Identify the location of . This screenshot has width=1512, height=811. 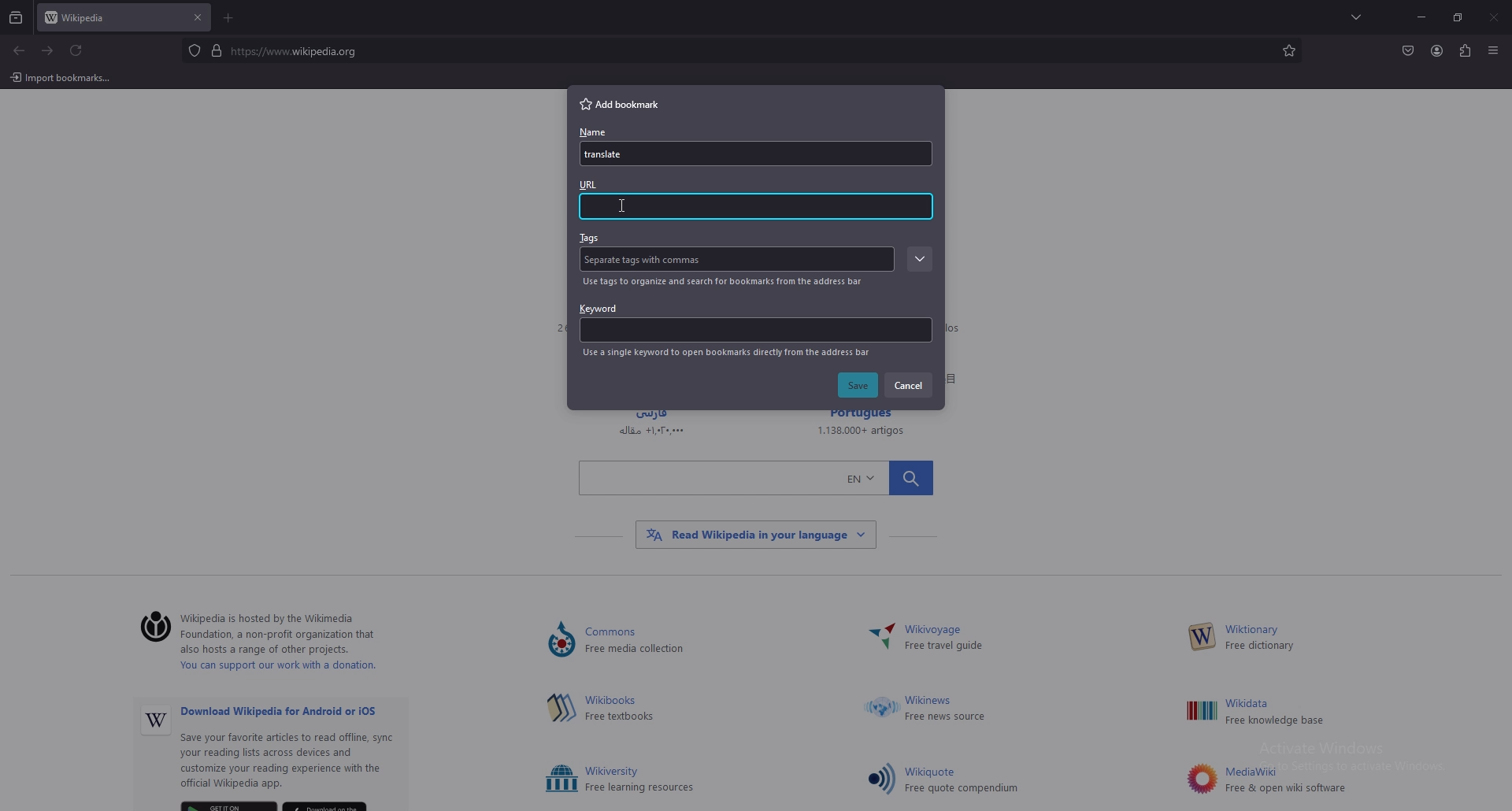
(642, 780).